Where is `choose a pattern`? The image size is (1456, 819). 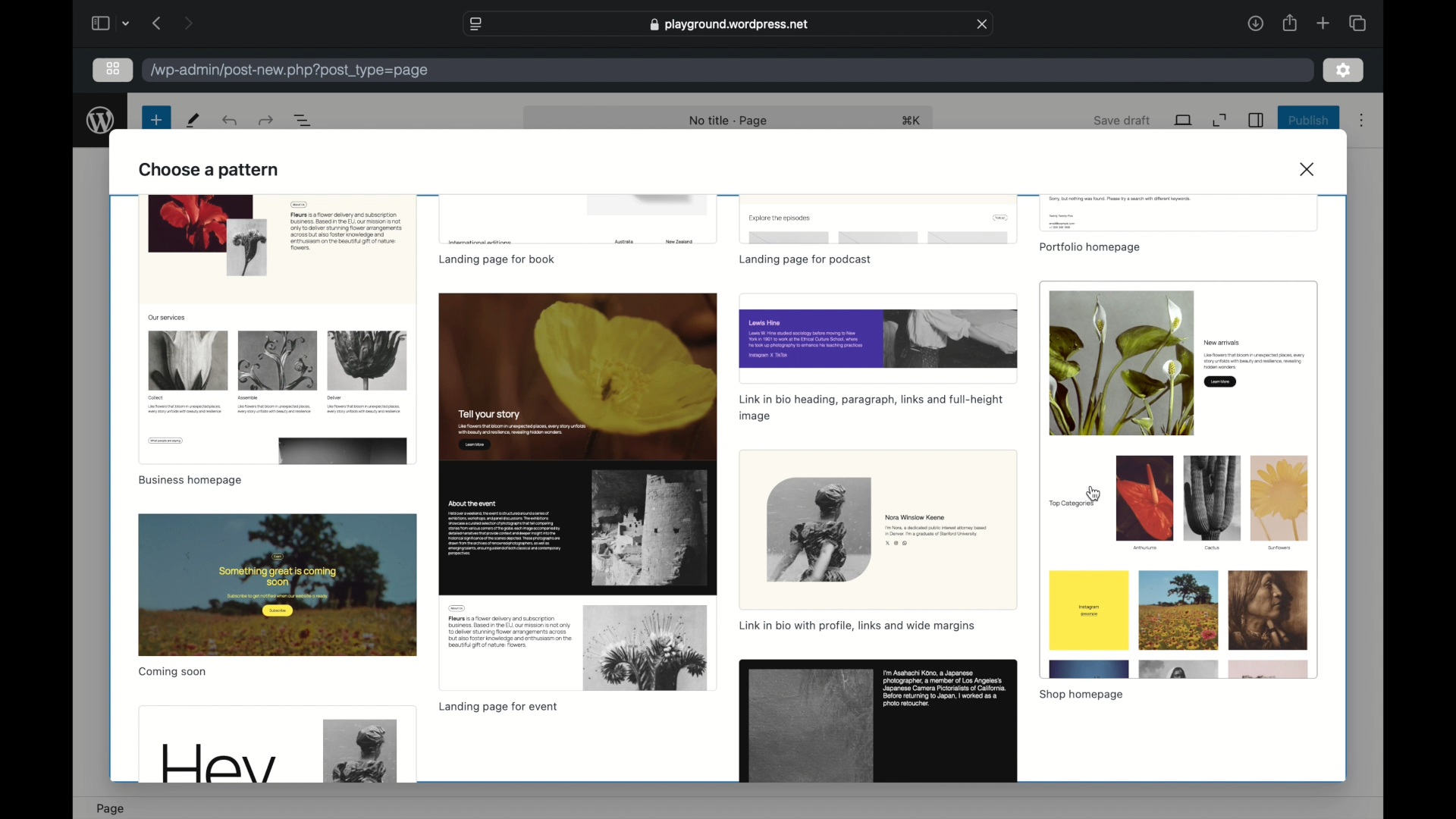 choose a pattern is located at coordinates (209, 170).